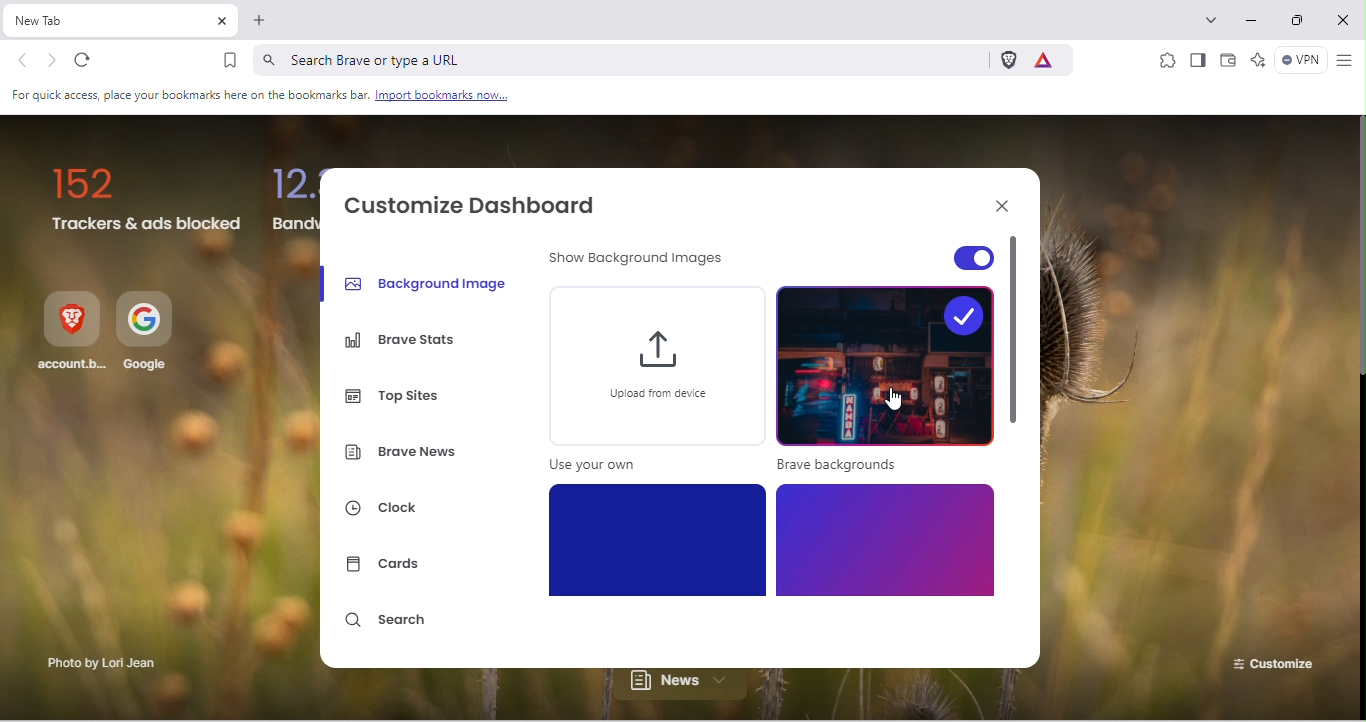 The image size is (1366, 722). Describe the element at coordinates (71, 334) in the screenshot. I see `account b...` at that location.